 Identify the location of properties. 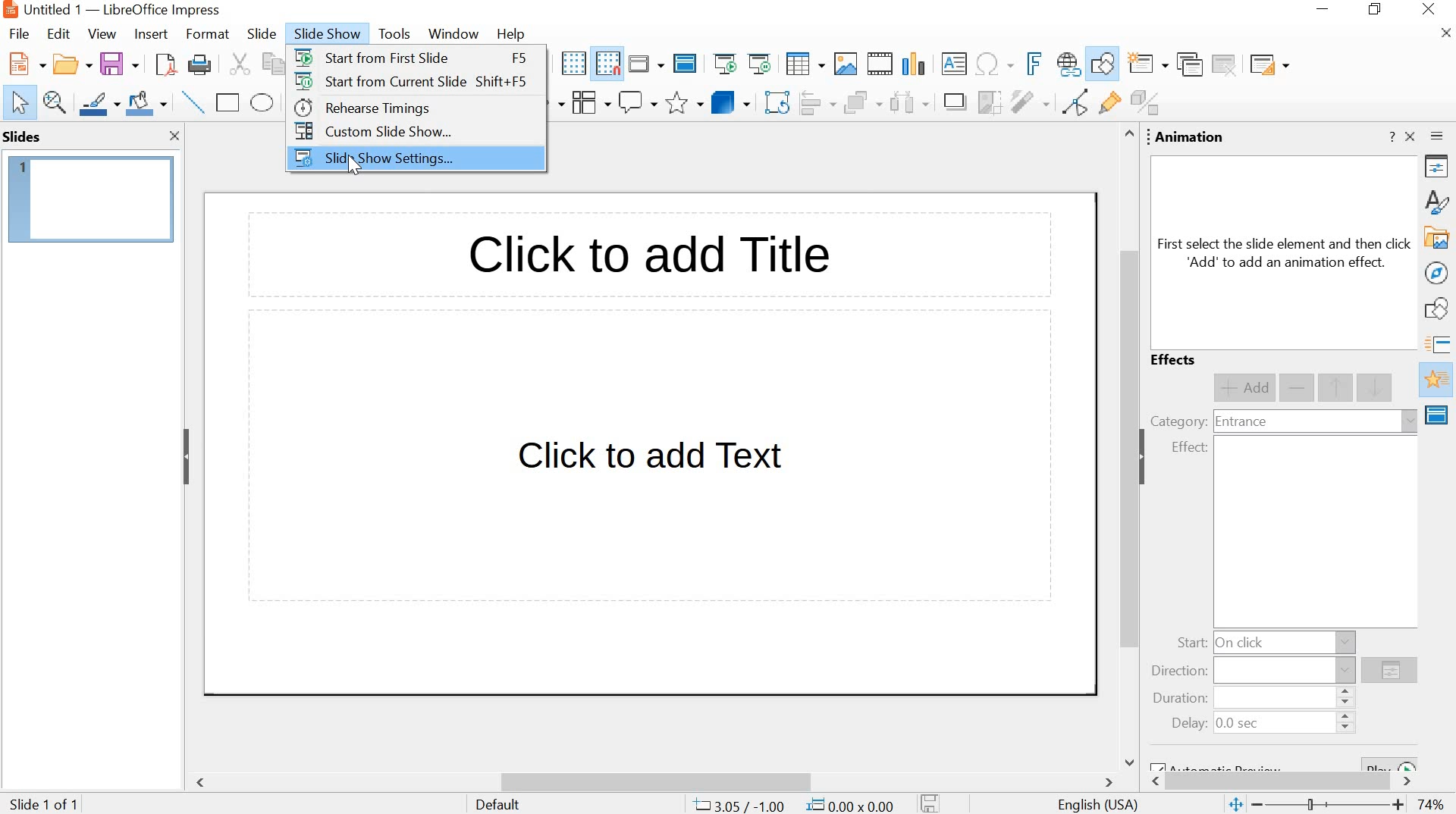
(1439, 169).